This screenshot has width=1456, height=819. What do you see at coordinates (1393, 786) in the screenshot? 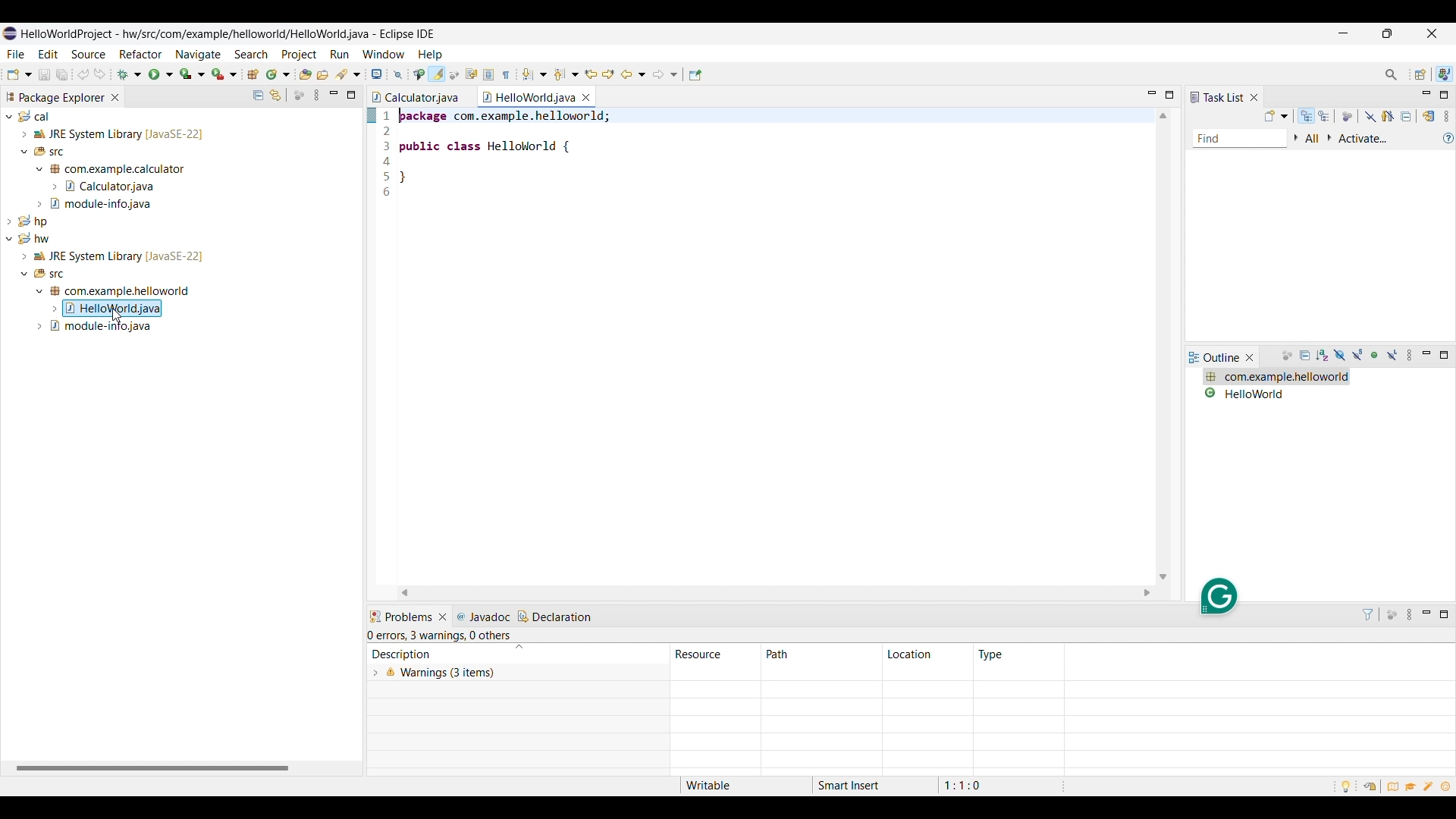
I see `Overview ` at bounding box center [1393, 786].